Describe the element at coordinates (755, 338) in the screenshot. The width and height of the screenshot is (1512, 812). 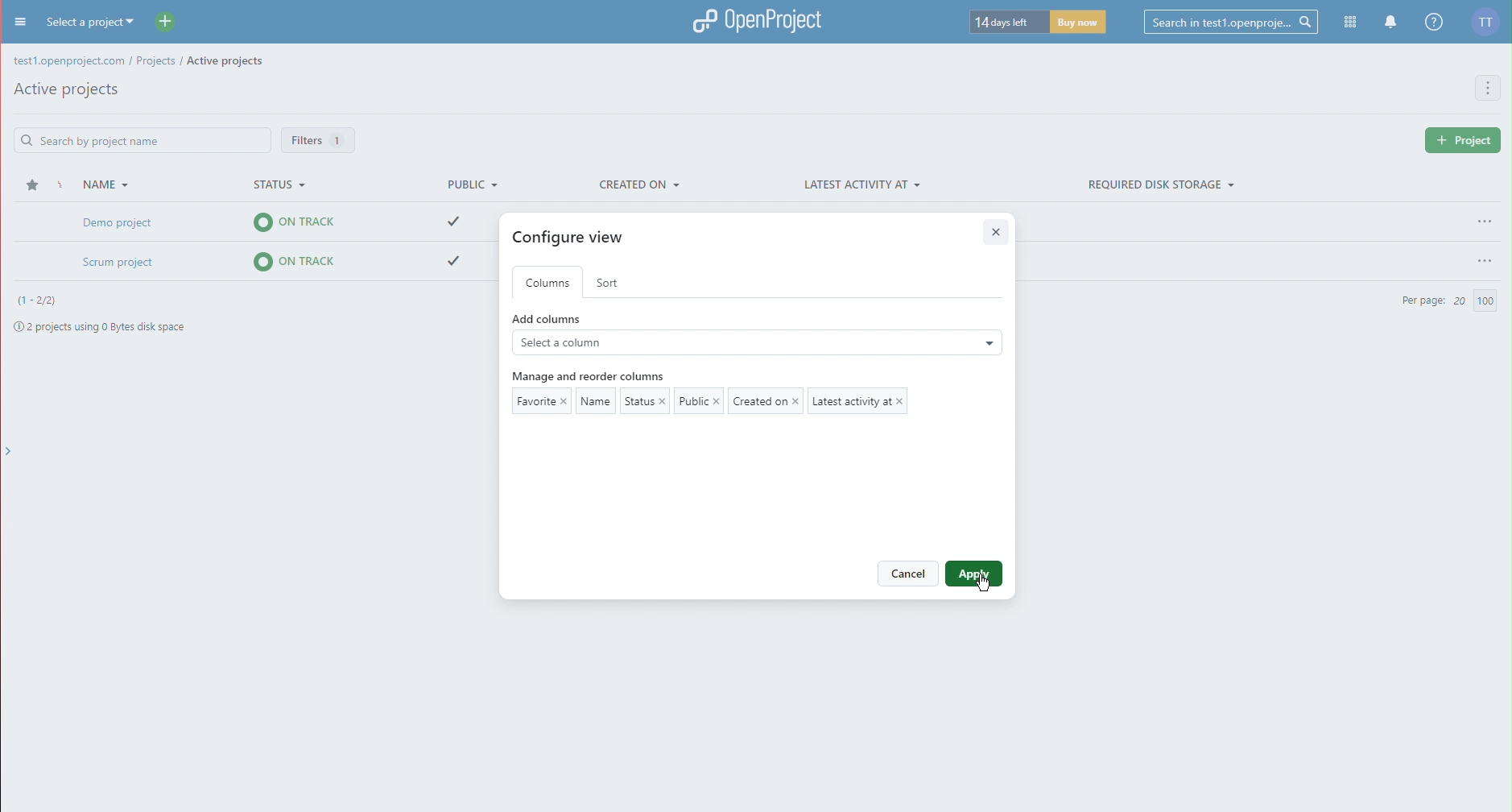
I see `Add Columns` at that location.